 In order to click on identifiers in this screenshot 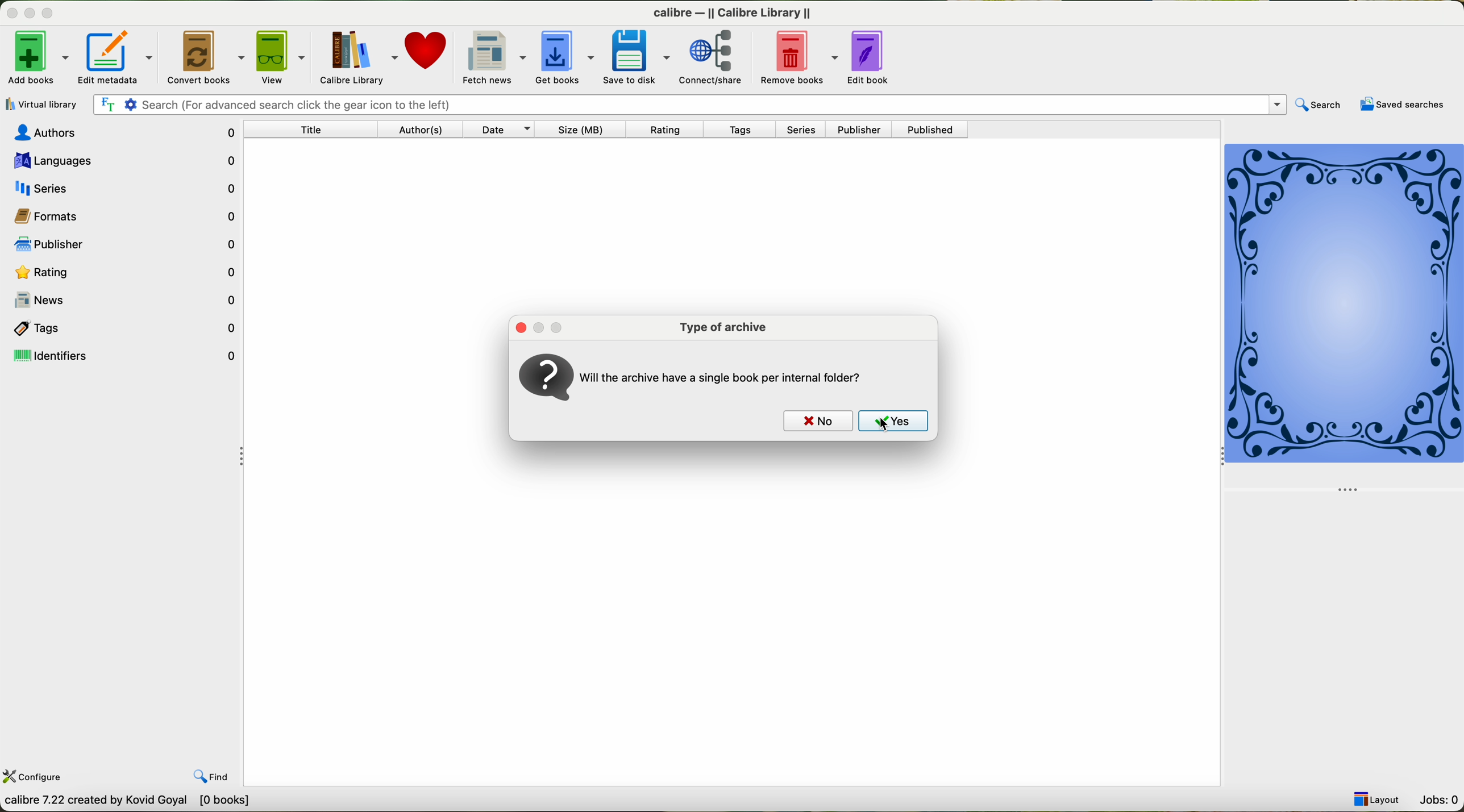, I will do `click(125, 355)`.